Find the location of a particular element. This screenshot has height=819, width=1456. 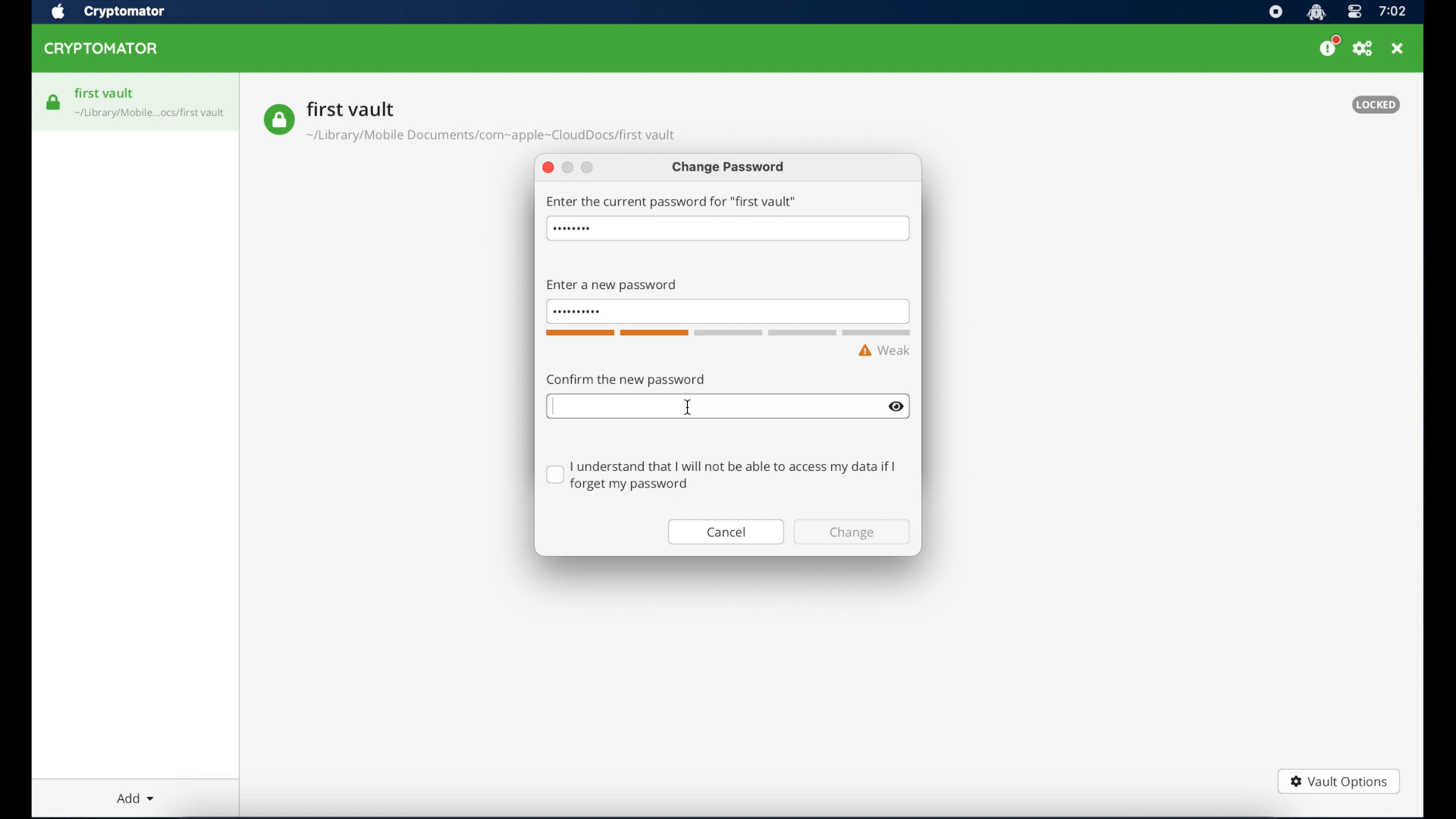

vault icon is located at coordinates (54, 102).